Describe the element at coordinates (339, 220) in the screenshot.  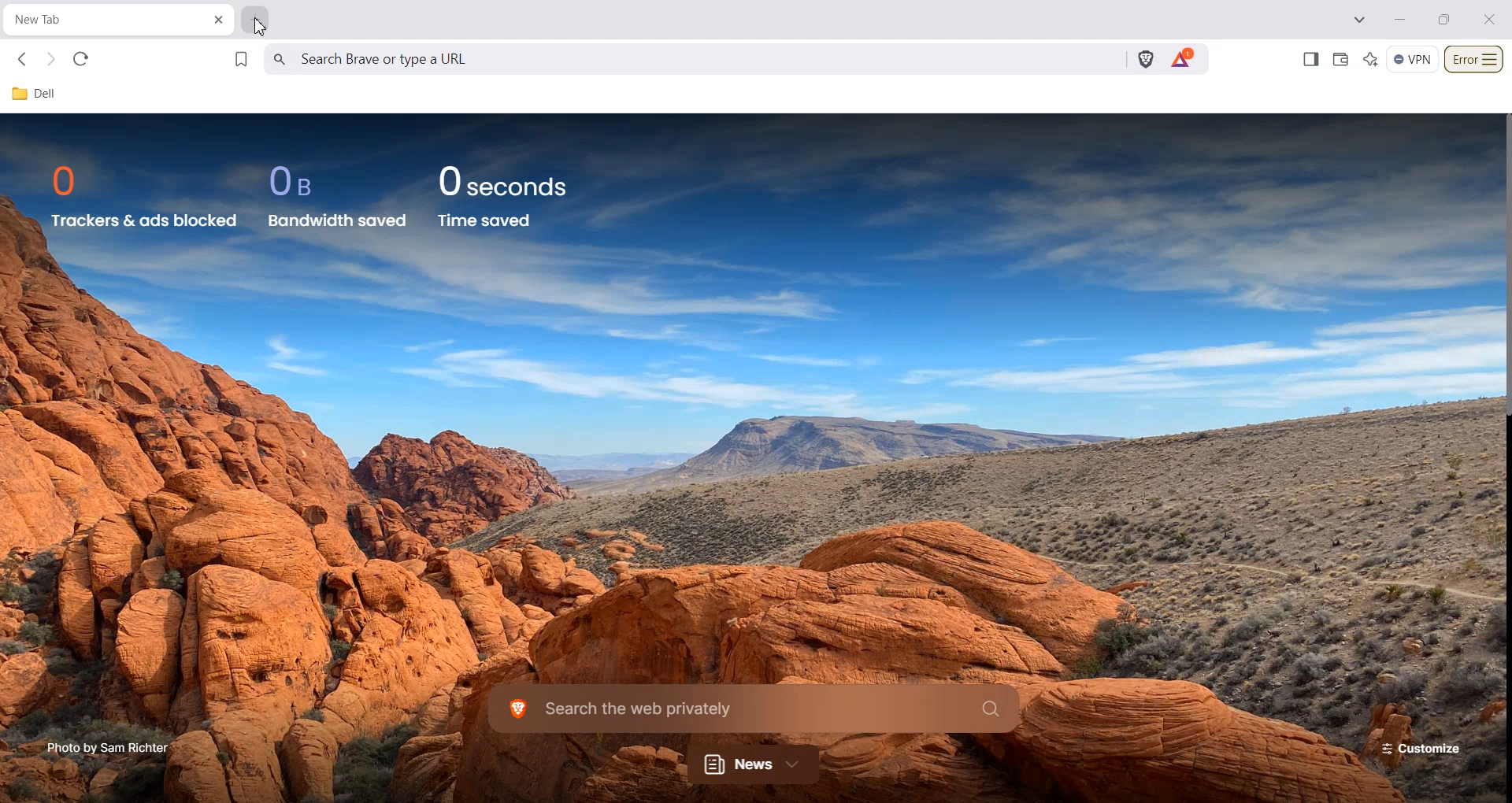
I see `Bandwidth saved` at that location.